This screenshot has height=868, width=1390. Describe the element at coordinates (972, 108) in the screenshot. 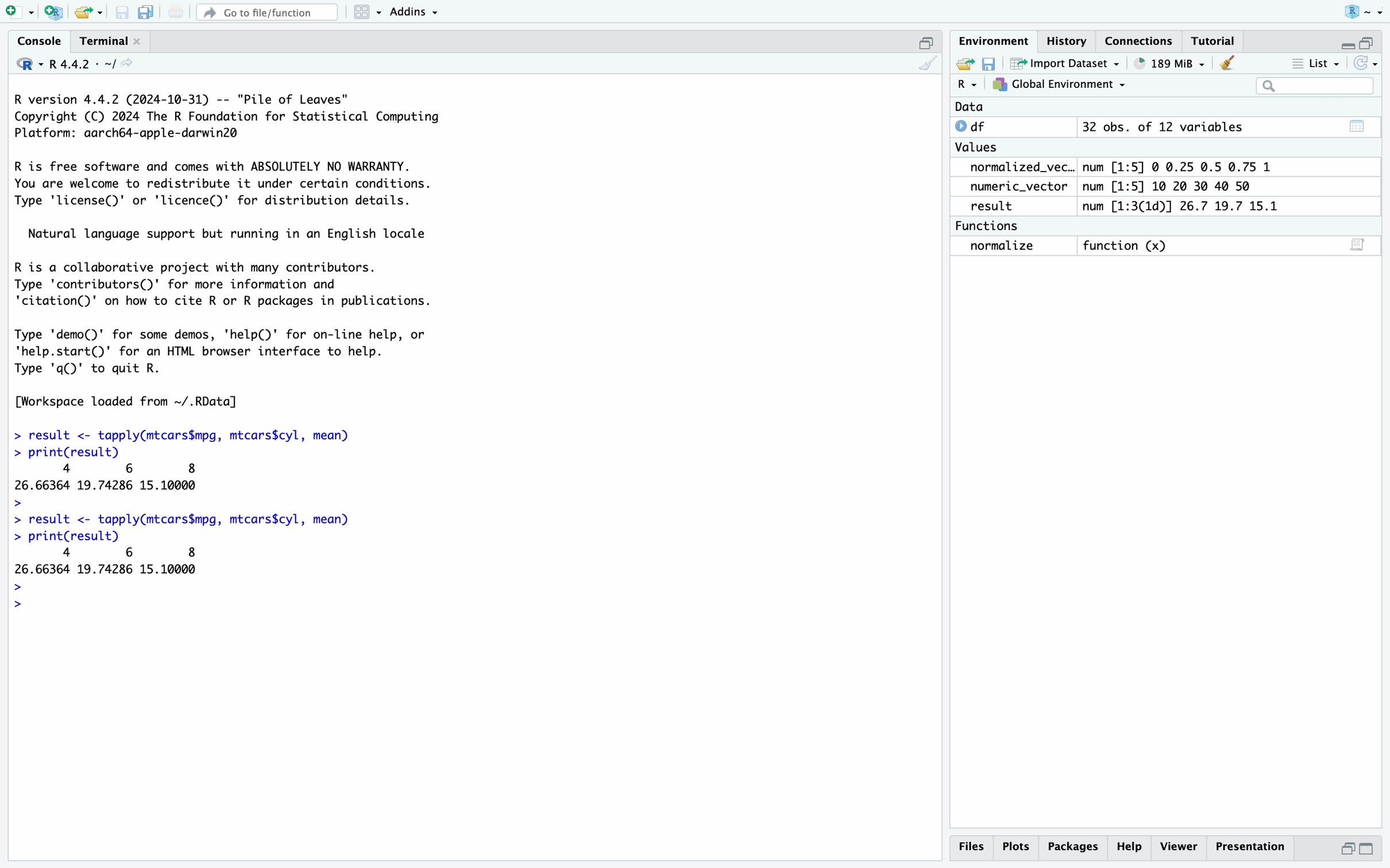

I see `Data` at that location.